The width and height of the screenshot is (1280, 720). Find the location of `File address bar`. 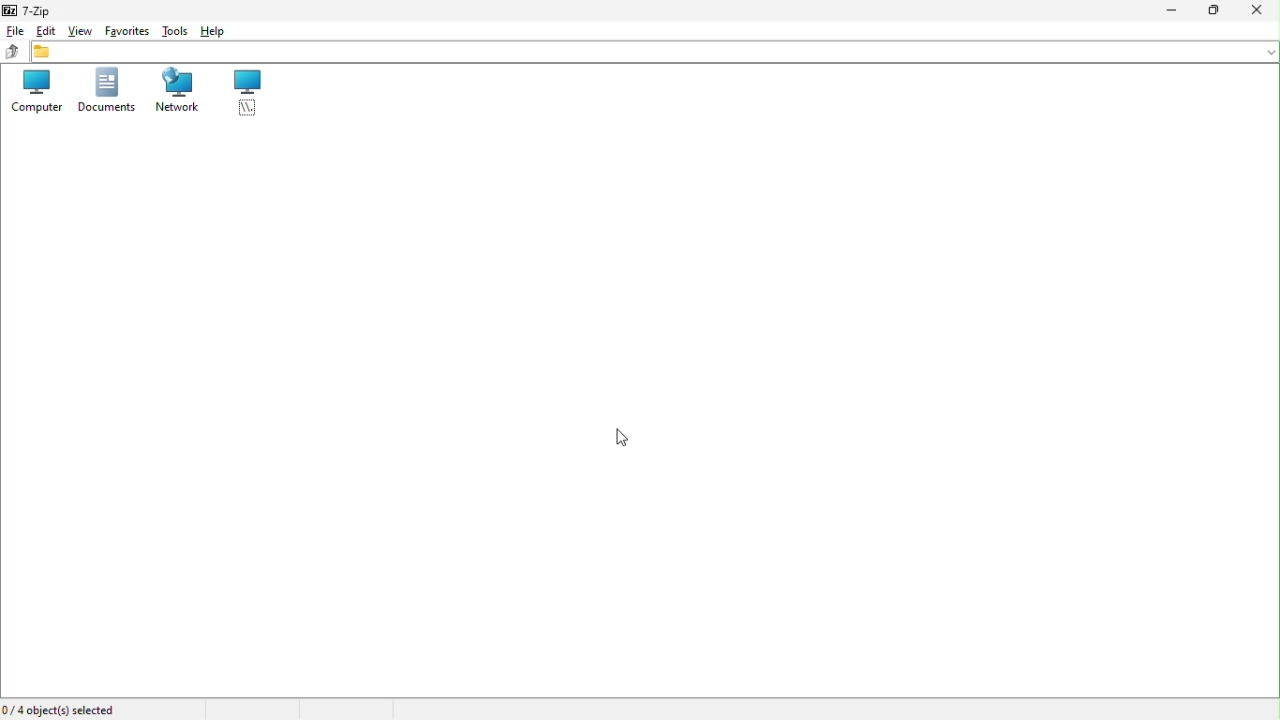

File address bar is located at coordinates (655, 53).